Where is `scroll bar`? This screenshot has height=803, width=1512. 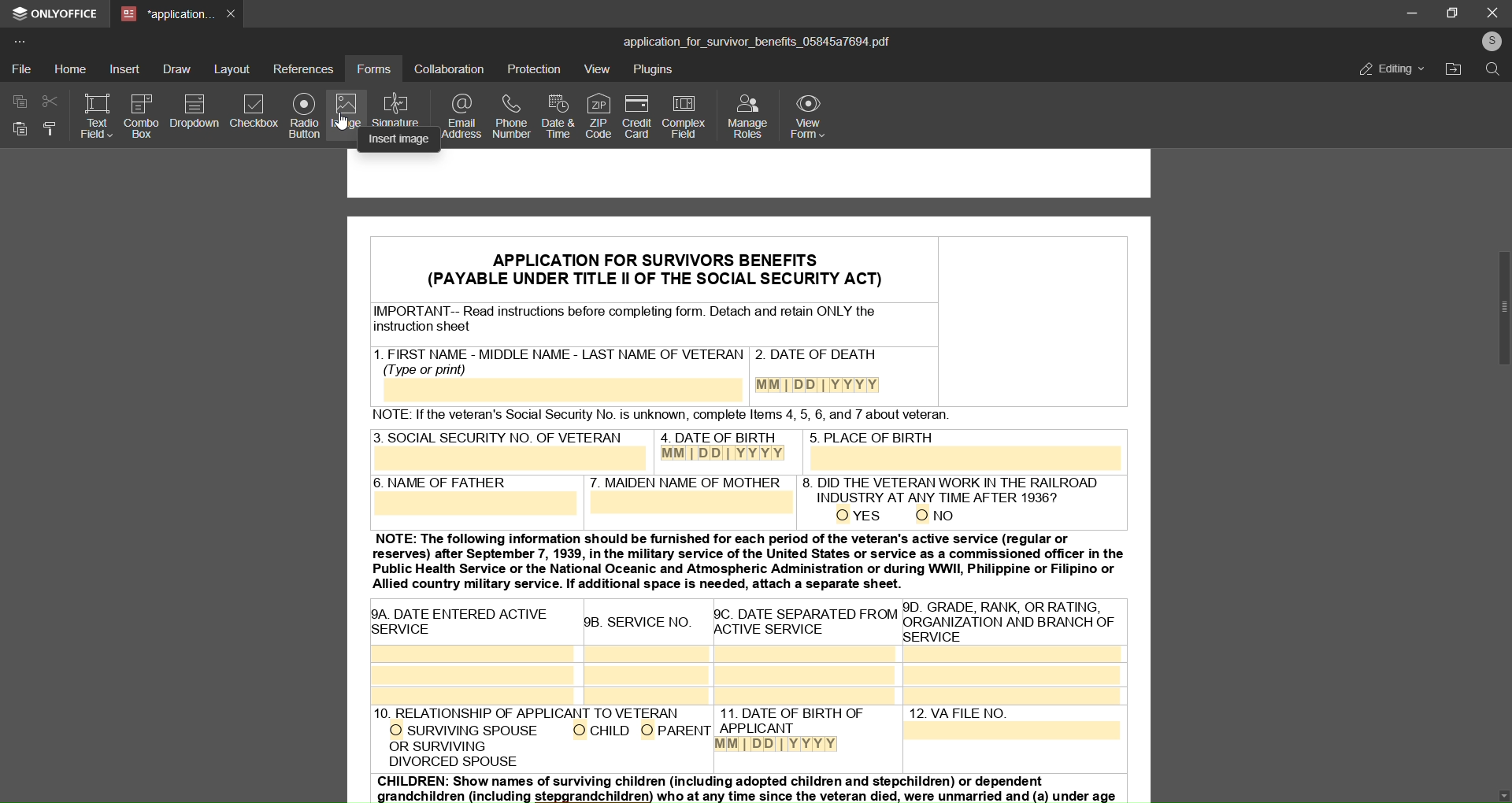 scroll bar is located at coordinates (1503, 309).